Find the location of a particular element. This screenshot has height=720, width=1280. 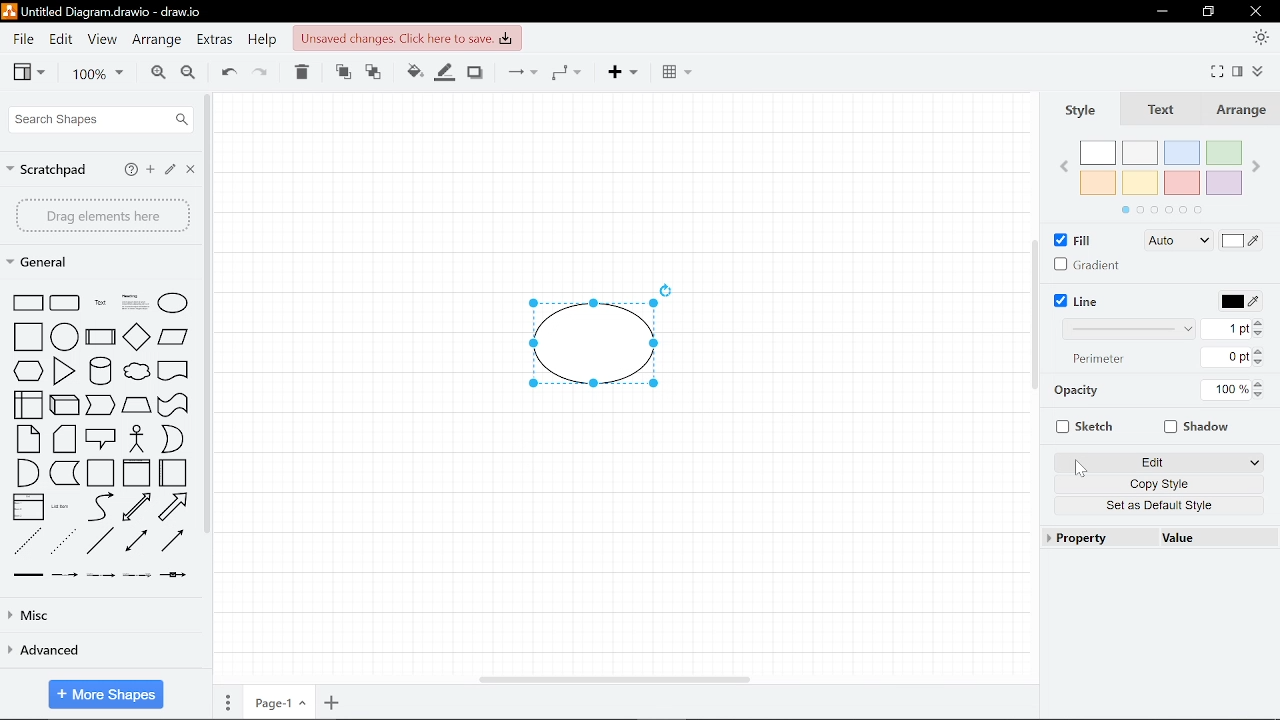

Edit is located at coordinates (1155, 462).